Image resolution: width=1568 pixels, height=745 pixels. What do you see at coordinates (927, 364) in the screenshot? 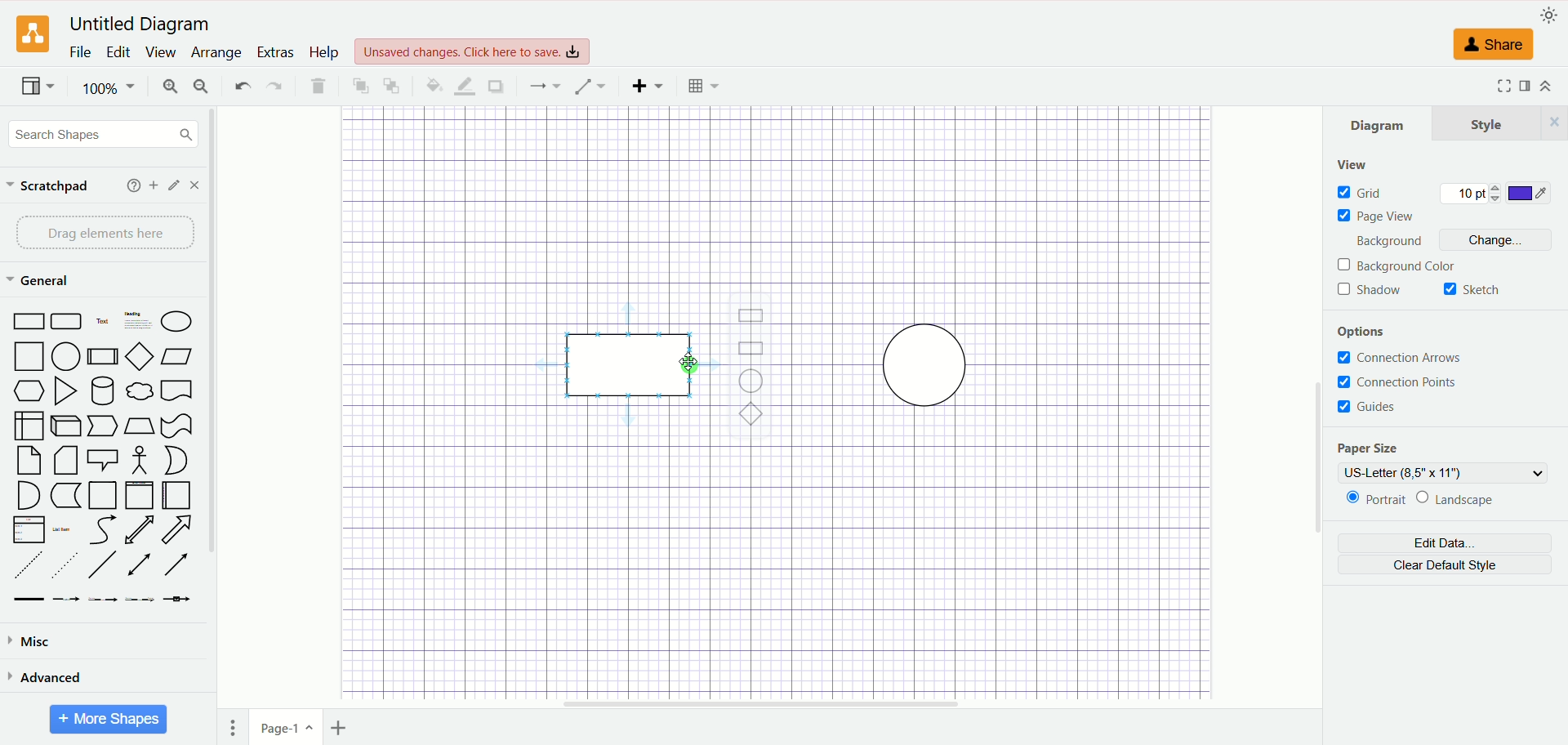
I see `circle` at bounding box center [927, 364].